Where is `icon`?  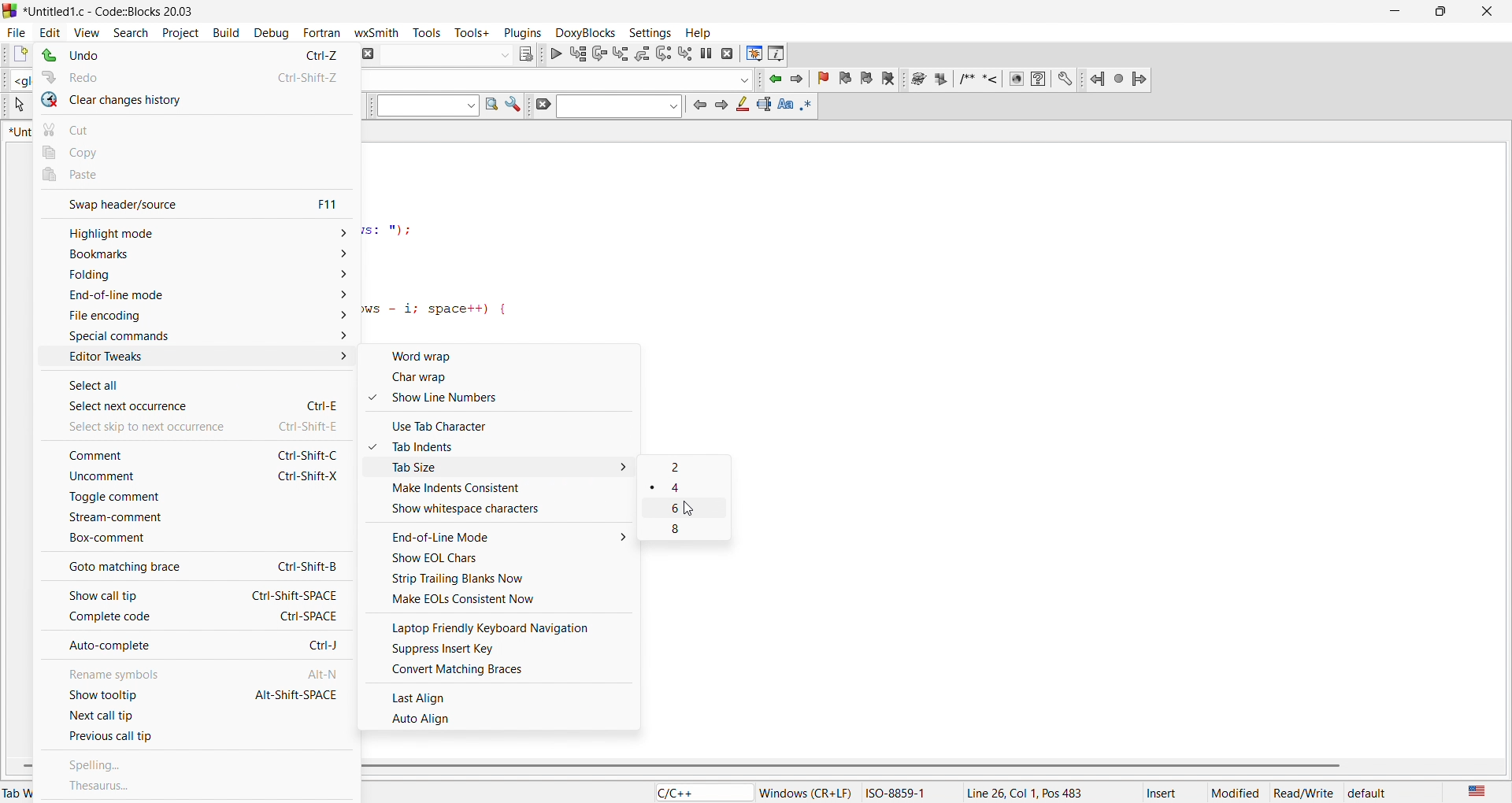 icon is located at coordinates (788, 106).